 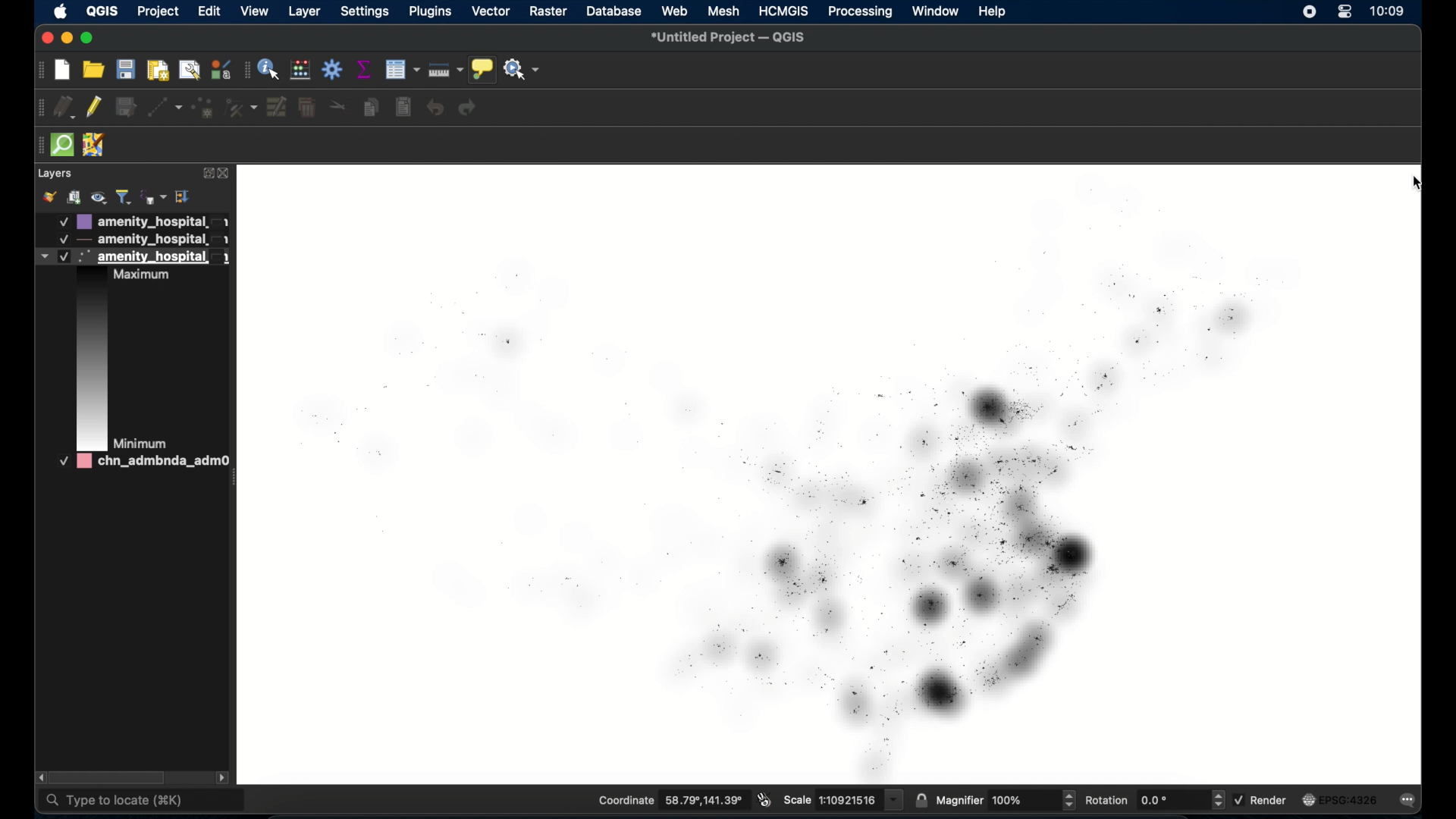 I want to click on untitled project - QGIS, so click(x=725, y=39).